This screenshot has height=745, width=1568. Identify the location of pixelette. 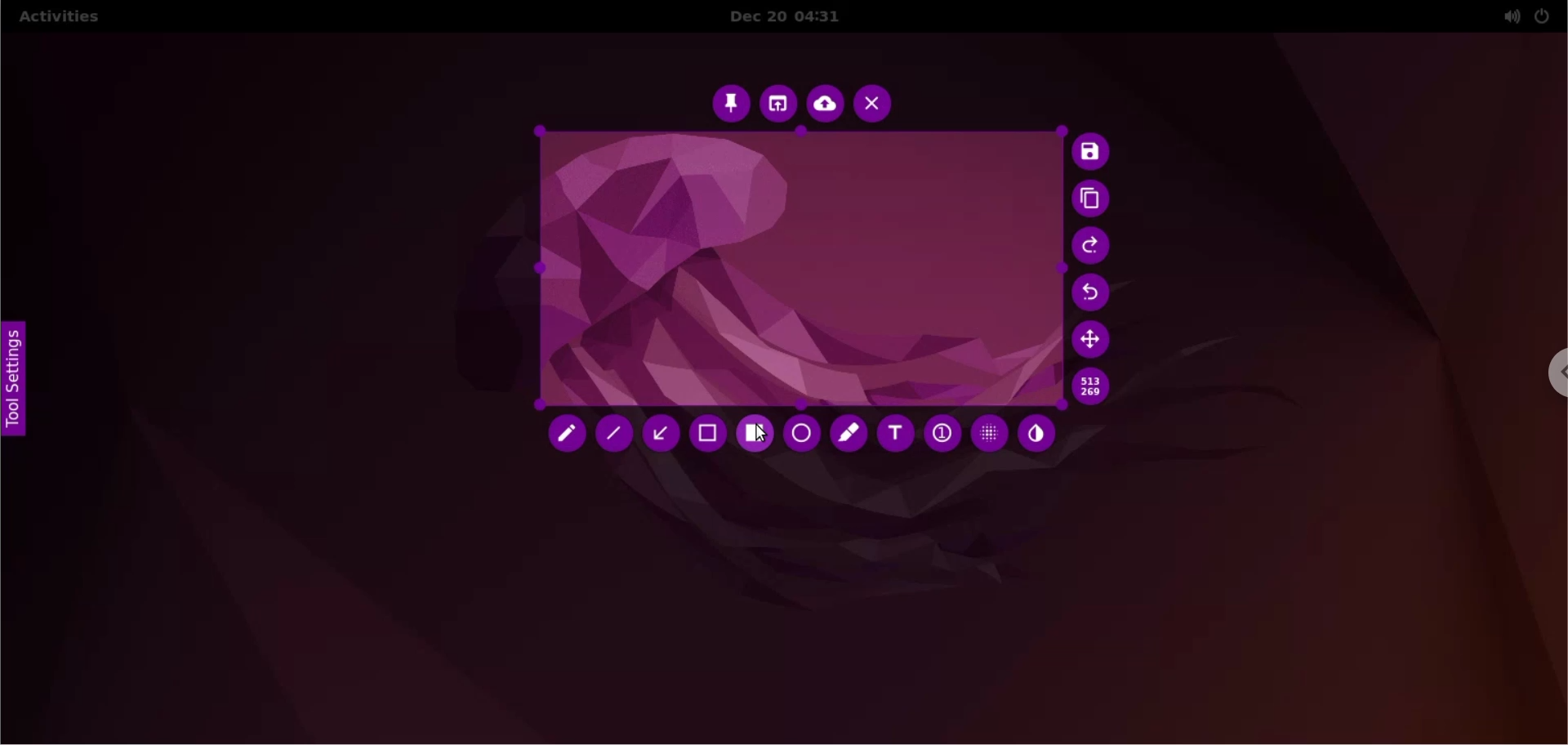
(989, 434).